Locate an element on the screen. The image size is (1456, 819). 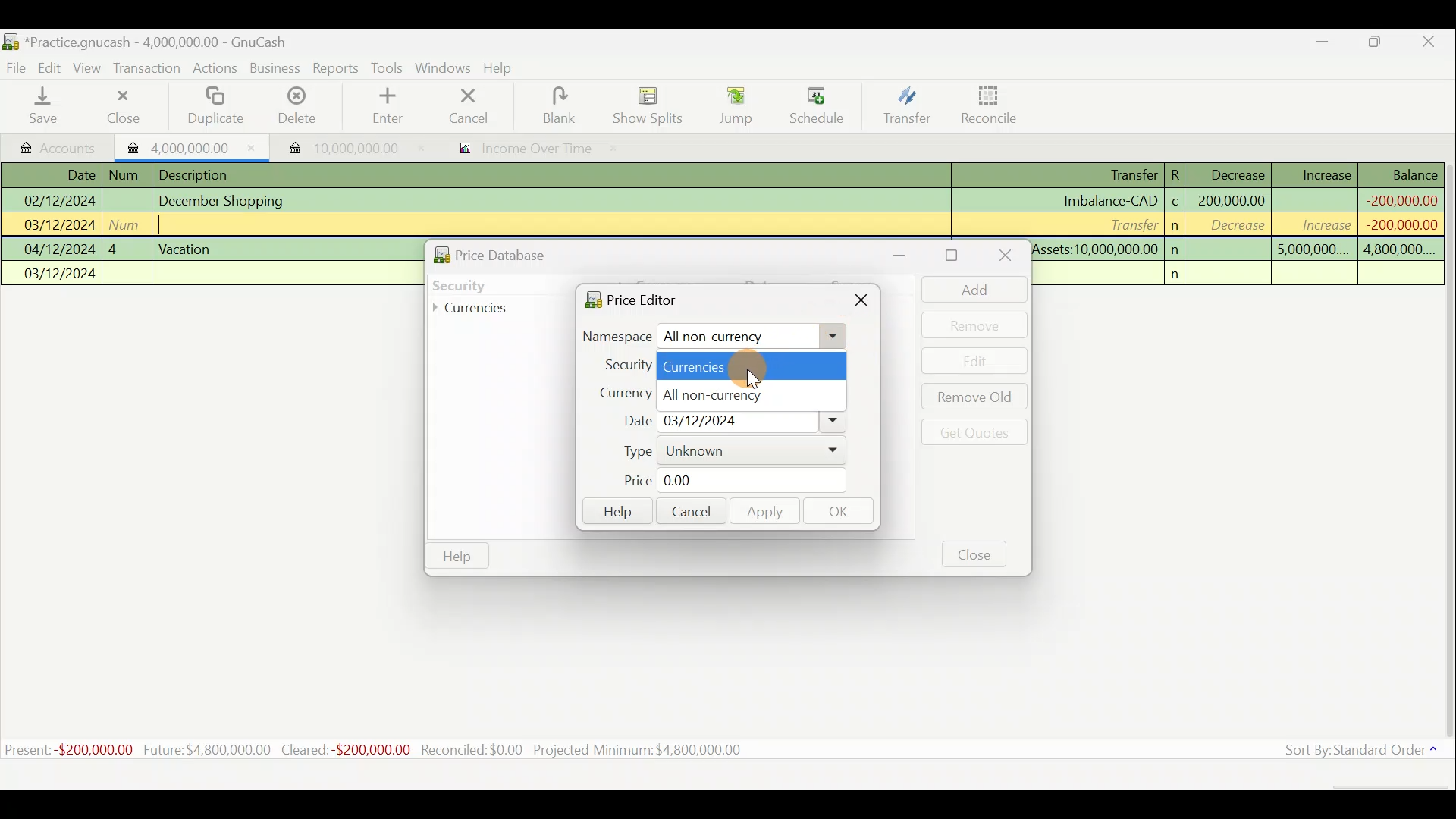
enter is located at coordinates (393, 107).